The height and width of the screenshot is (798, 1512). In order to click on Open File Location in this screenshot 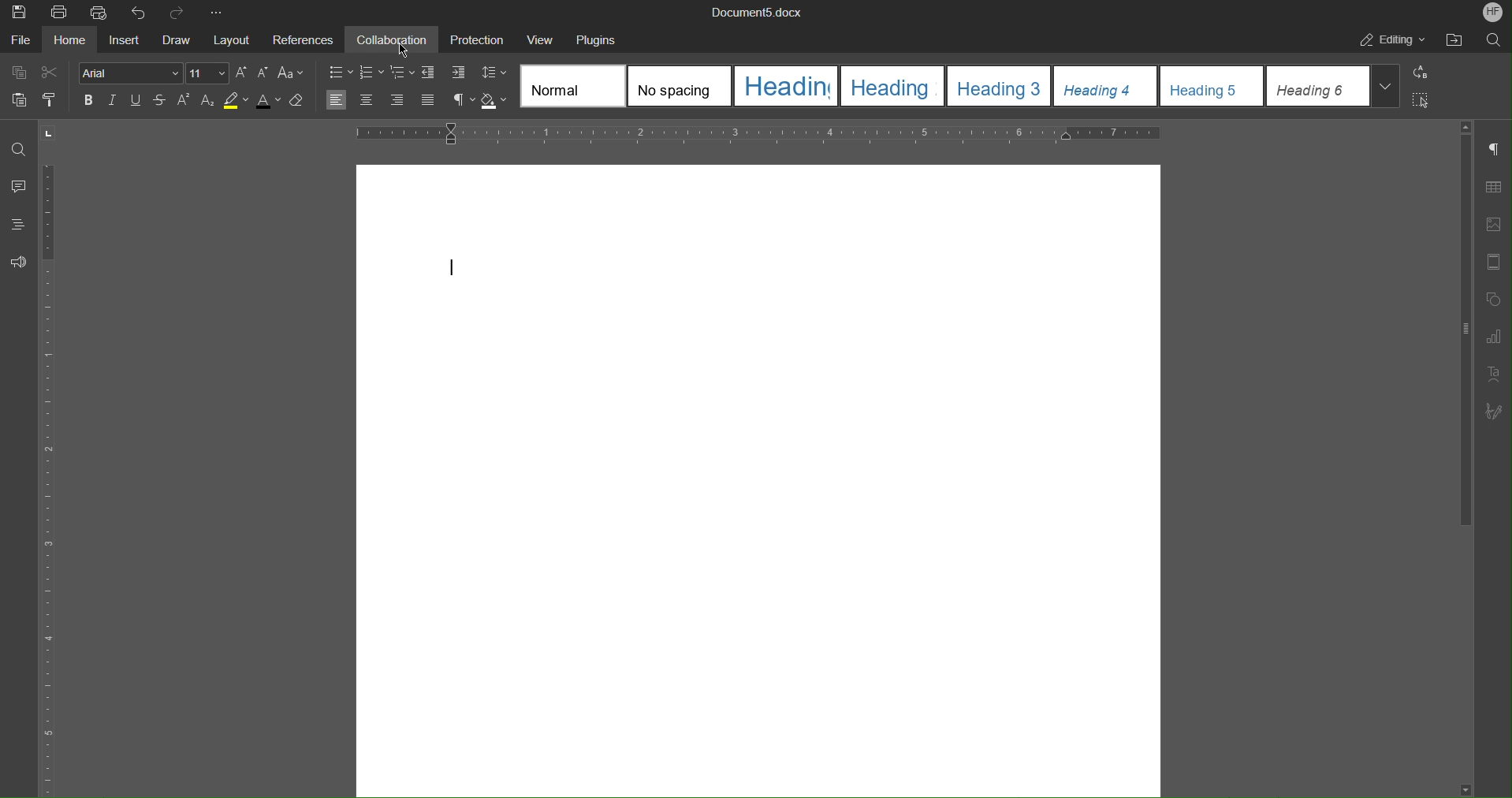, I will do `click(1448, 40)`.